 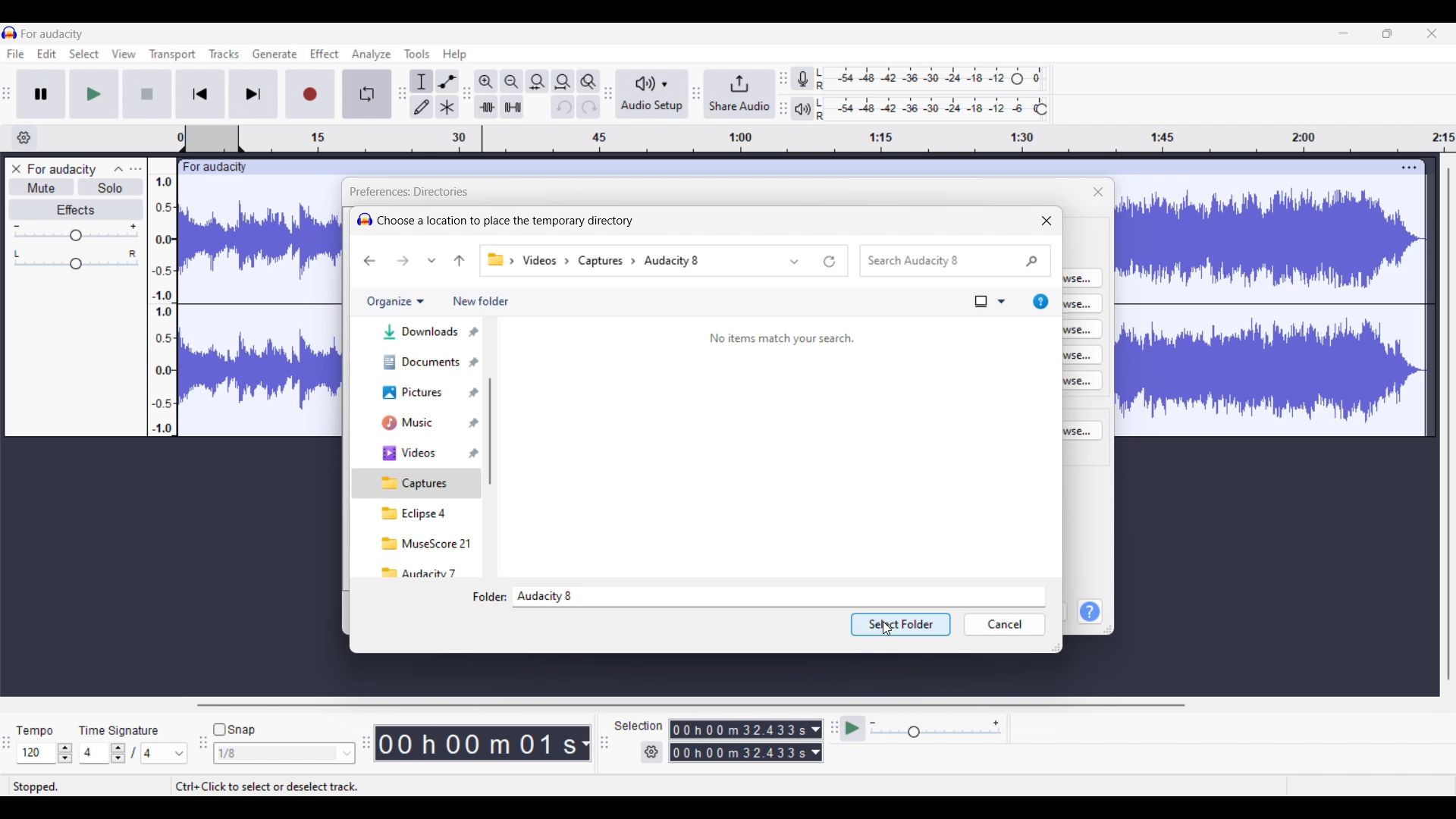 What do you see at coordinates (84, 54) in the screenshot?
I see `Select menu` at bounding box center [84, 54].